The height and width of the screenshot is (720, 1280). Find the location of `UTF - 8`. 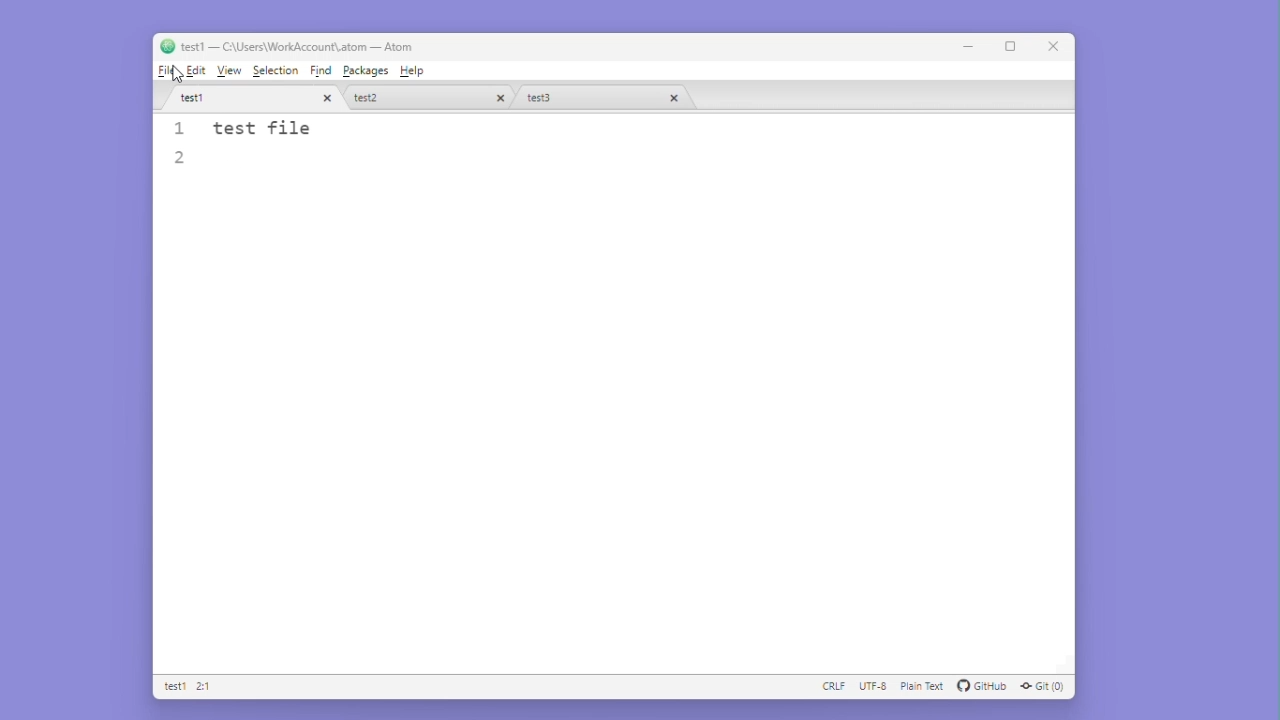

UTF - 8 is located at coordinates (874, 686).